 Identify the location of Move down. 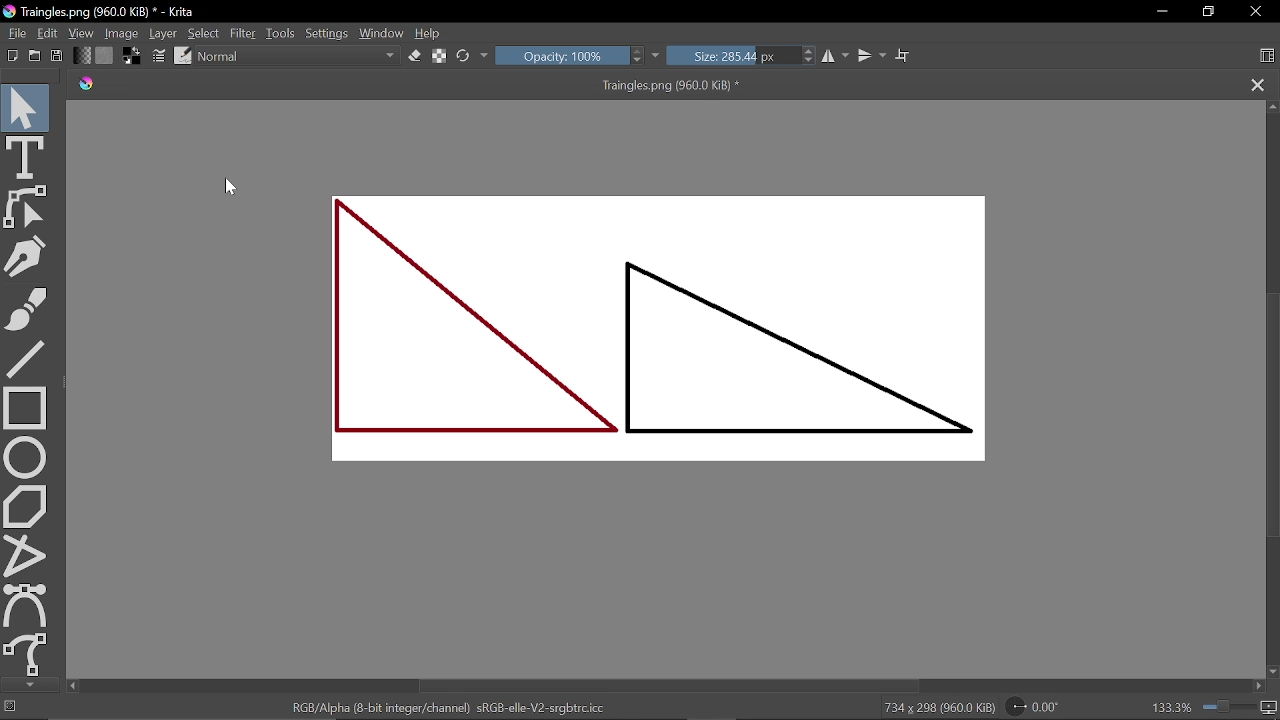
(30, 685).